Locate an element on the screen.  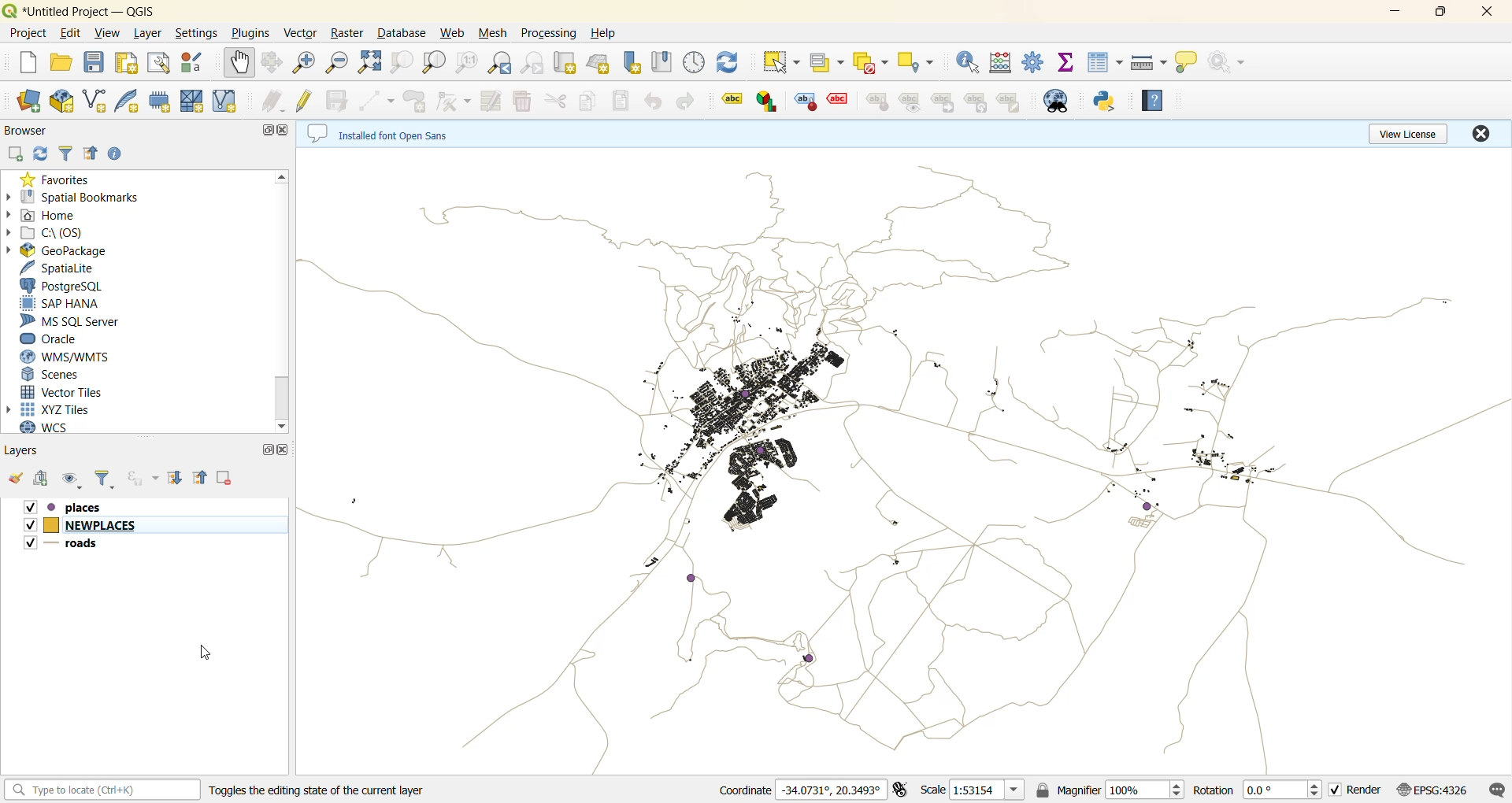
pan to selection is located at coordinates (276, 64).